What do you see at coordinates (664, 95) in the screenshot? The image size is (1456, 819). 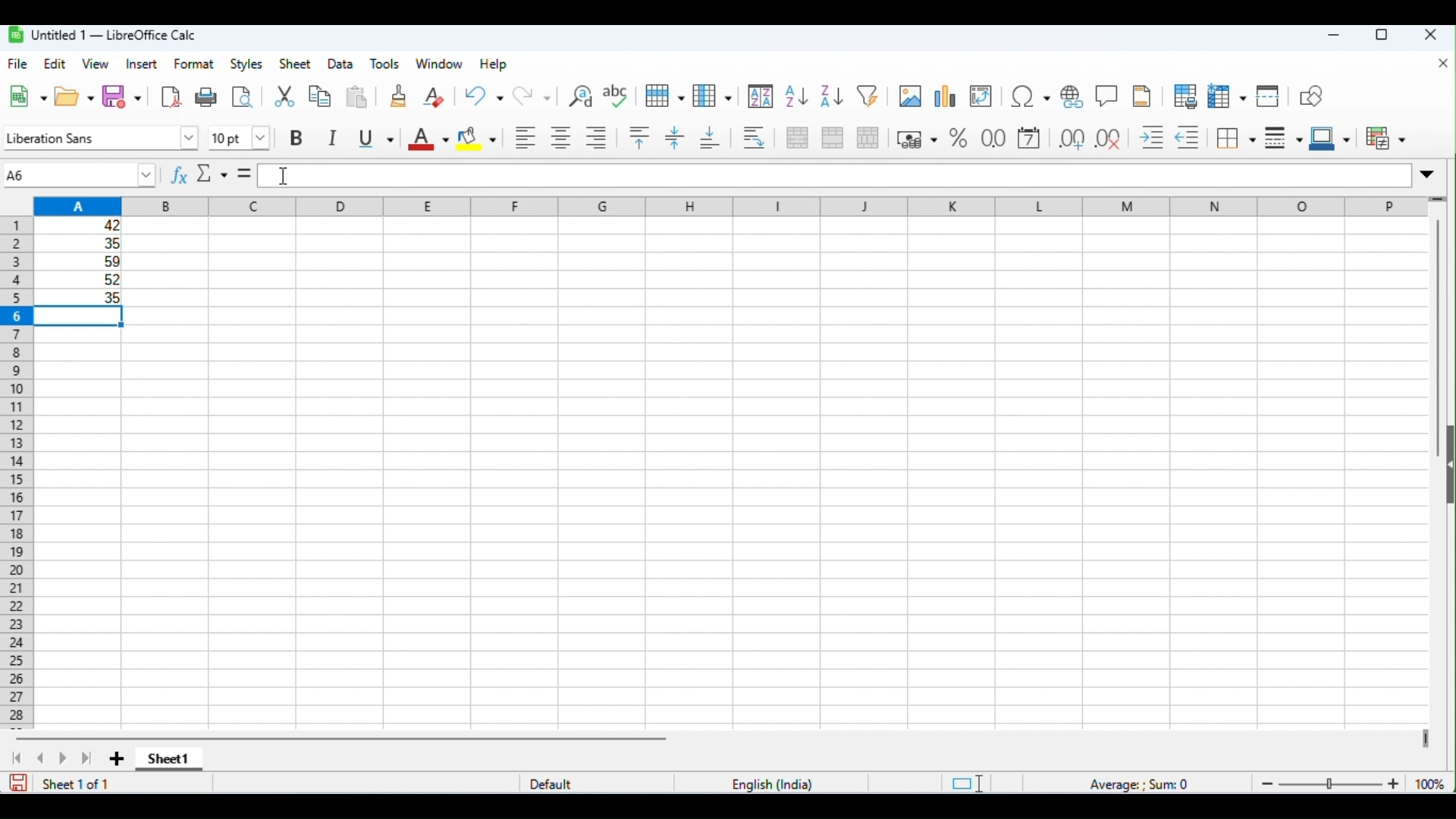 I see `row` at bounding box center [664, 95].